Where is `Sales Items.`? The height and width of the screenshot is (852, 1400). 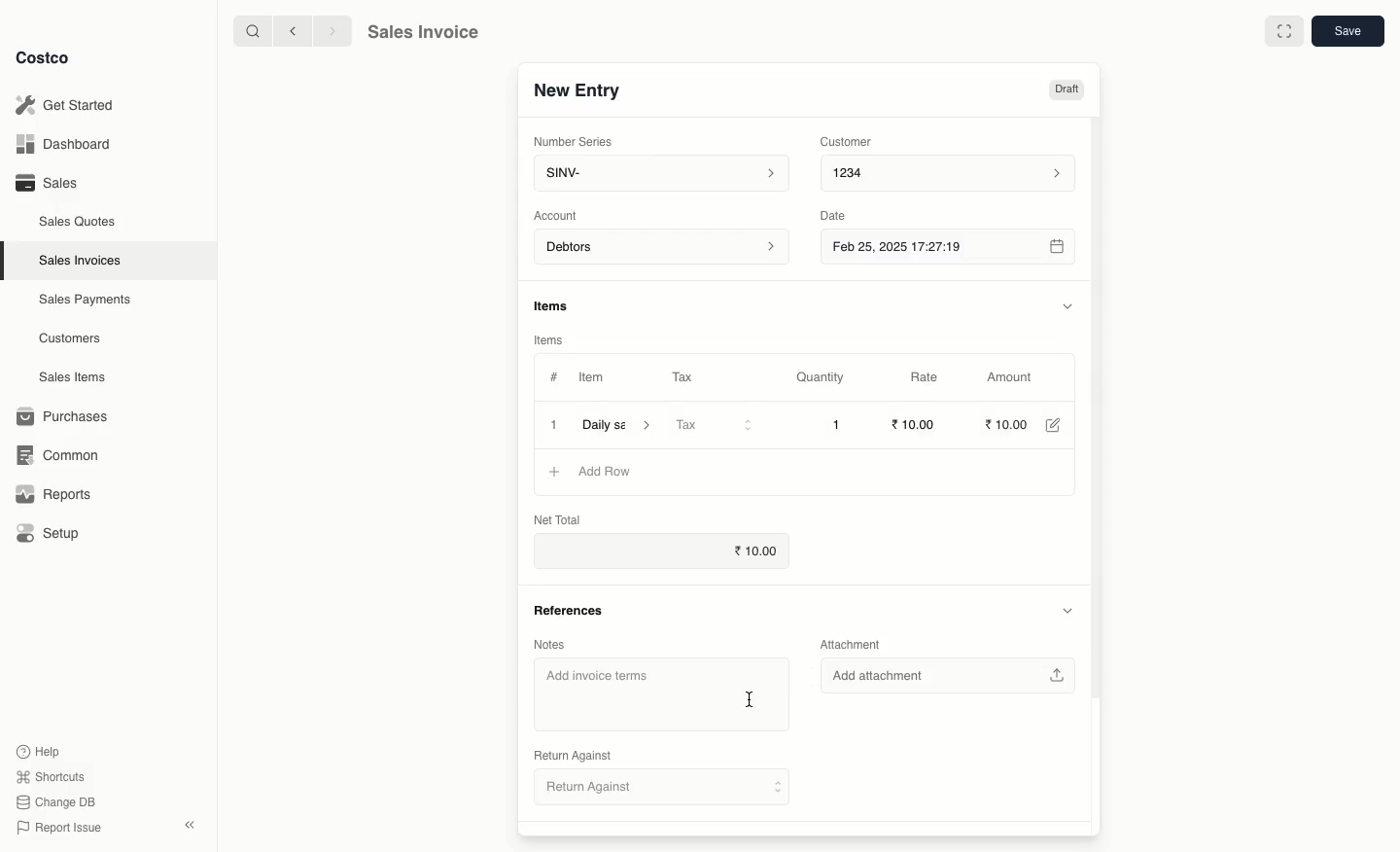 Sales Items. is located at coordinates (69, 378).